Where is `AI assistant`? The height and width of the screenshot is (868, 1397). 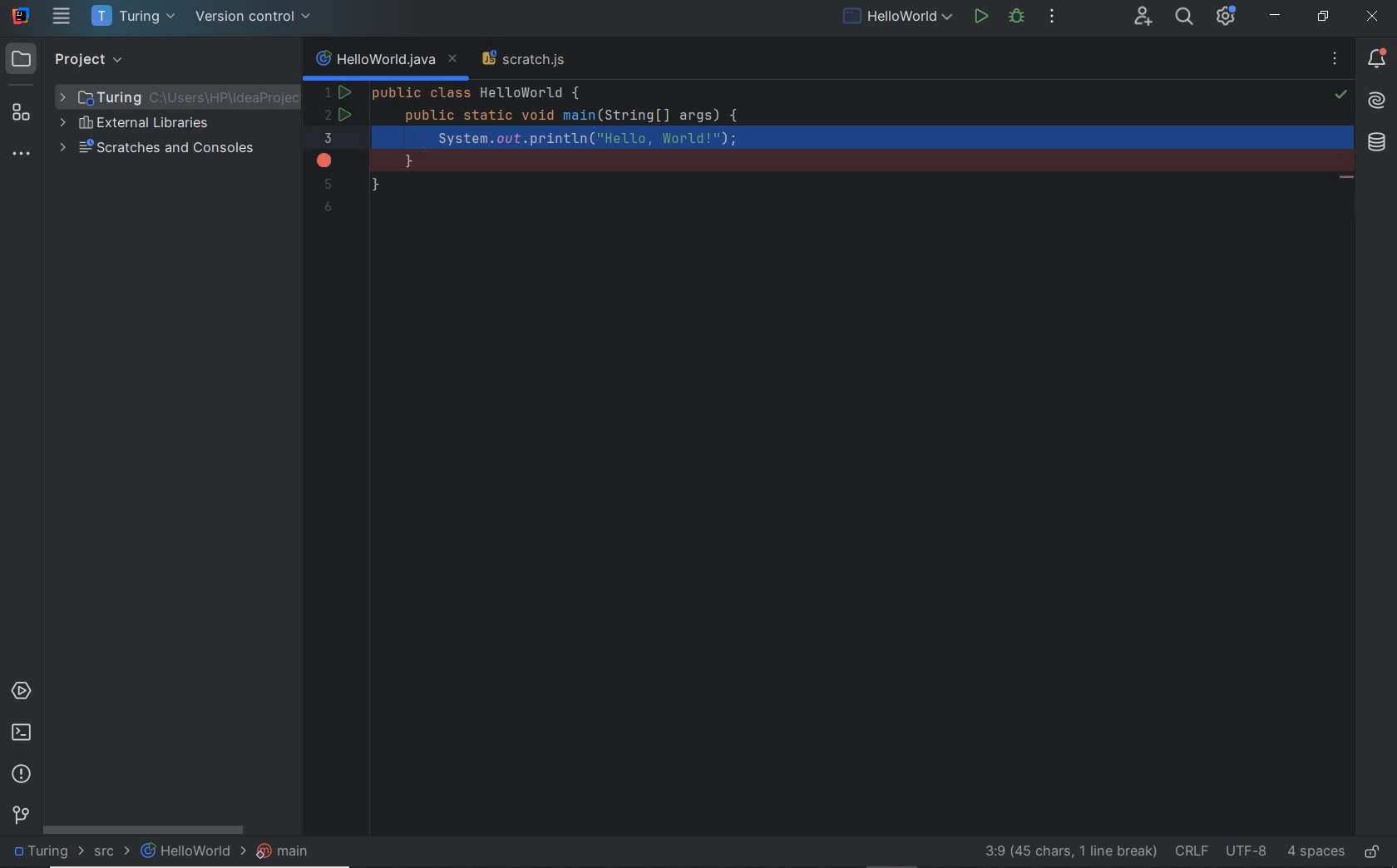
AI assistant is located at coordinates (1377, 99).